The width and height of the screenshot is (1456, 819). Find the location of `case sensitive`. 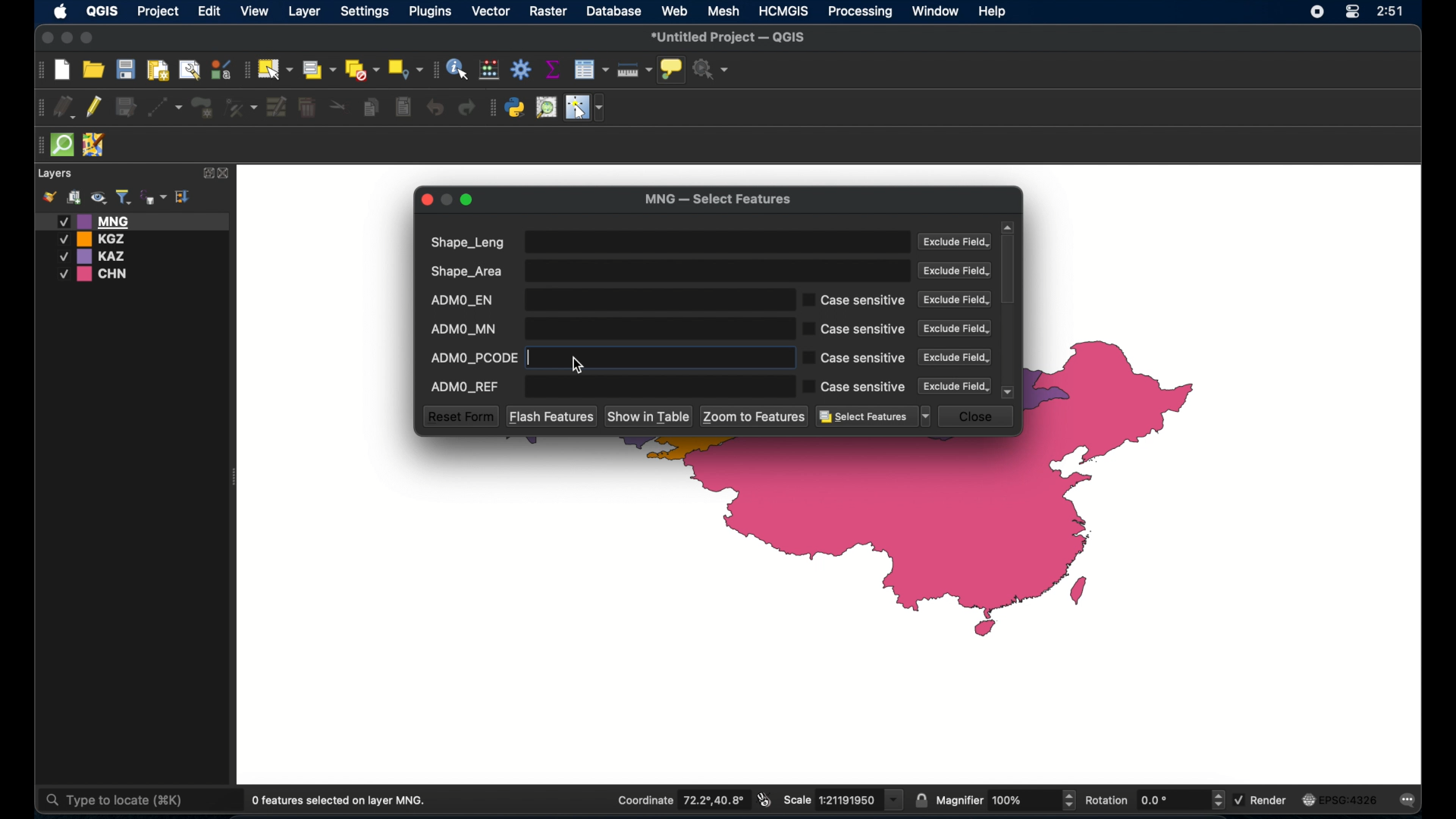

case sensitive is located at coordinates (855, 330).